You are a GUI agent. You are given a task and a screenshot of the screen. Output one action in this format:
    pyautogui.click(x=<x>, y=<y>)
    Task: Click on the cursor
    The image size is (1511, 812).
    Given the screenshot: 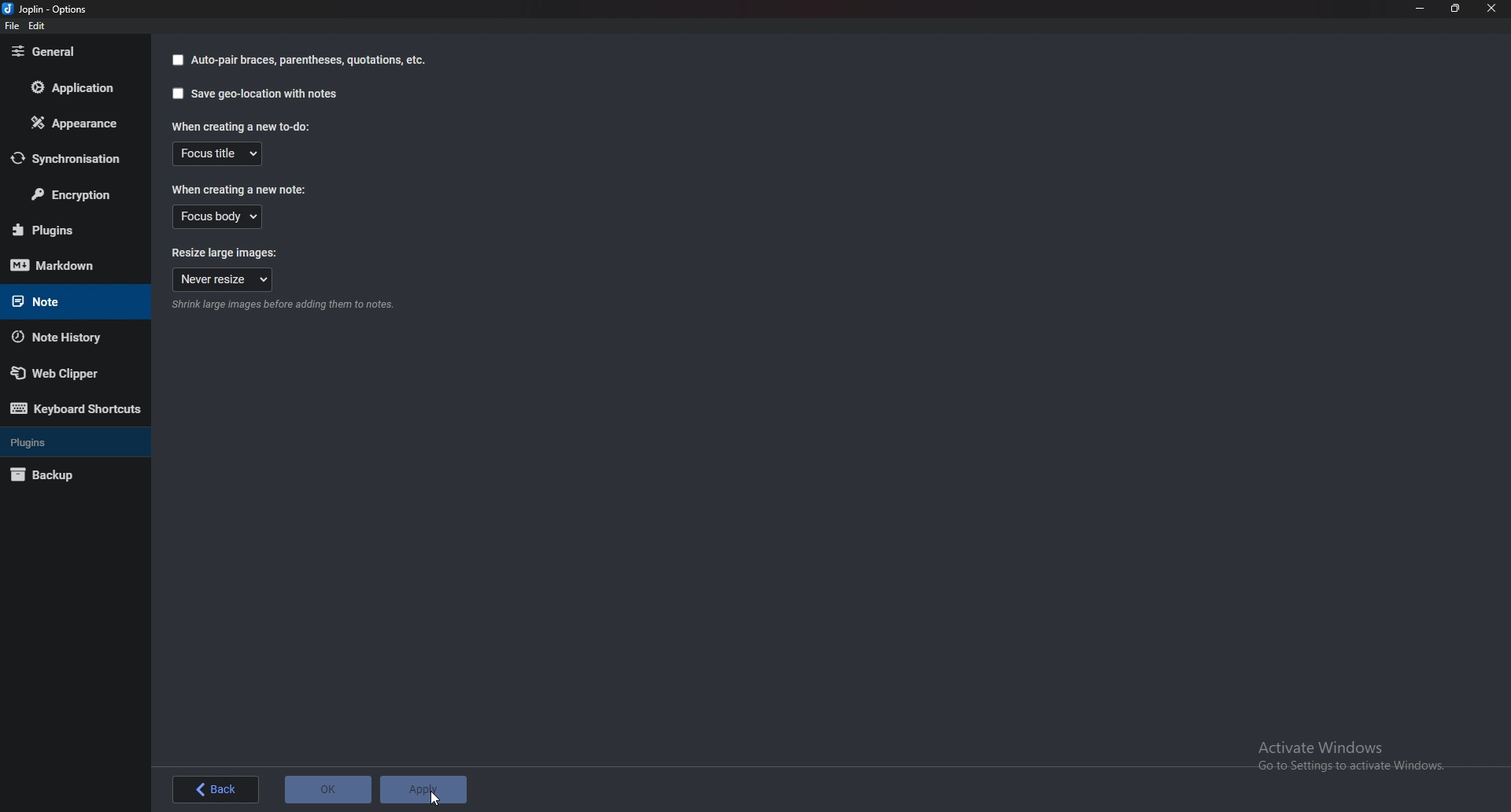 What is the action you would take?
    pyautogui.click(x=437, y=798)
    